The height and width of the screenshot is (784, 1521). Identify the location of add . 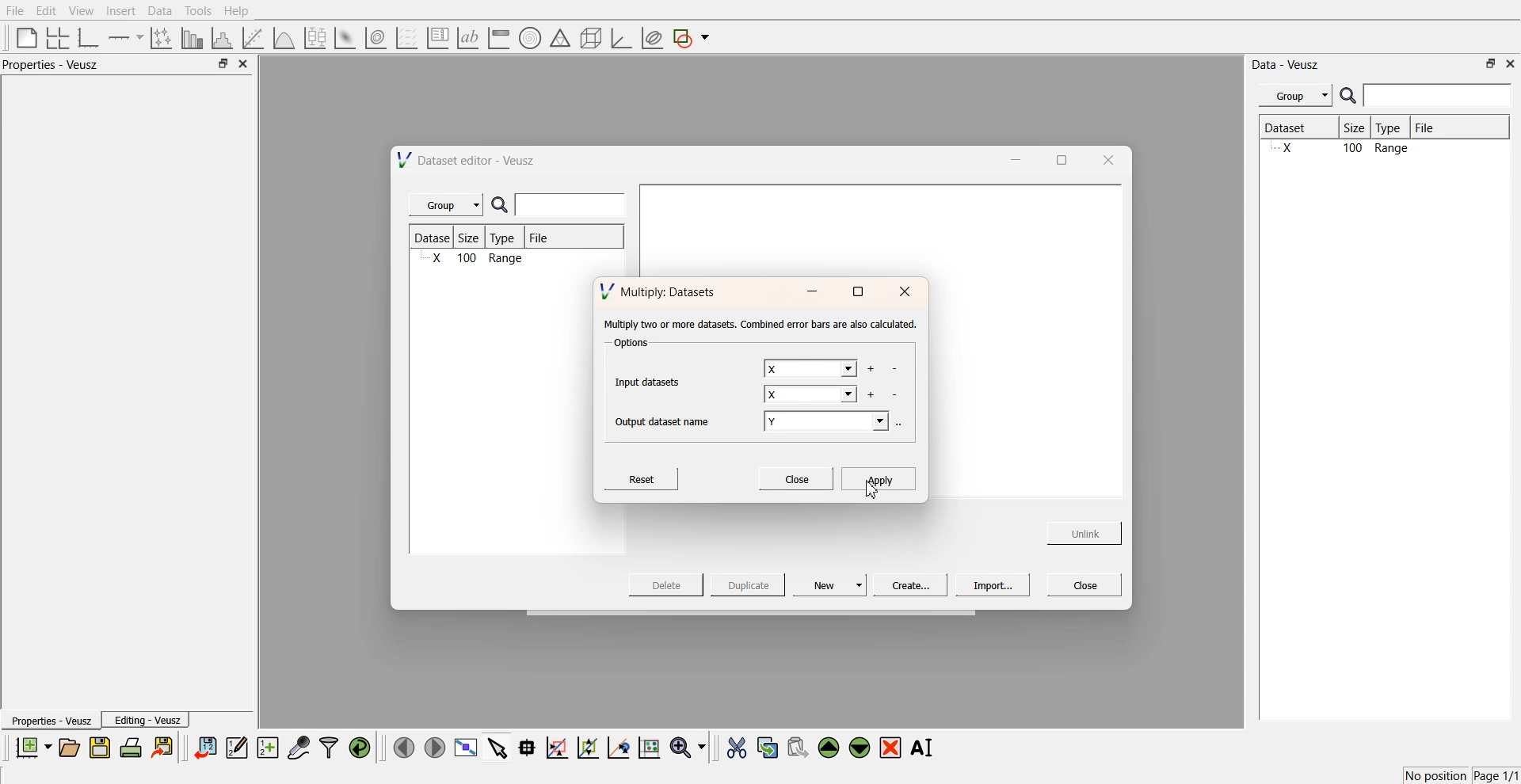
(870, 394).